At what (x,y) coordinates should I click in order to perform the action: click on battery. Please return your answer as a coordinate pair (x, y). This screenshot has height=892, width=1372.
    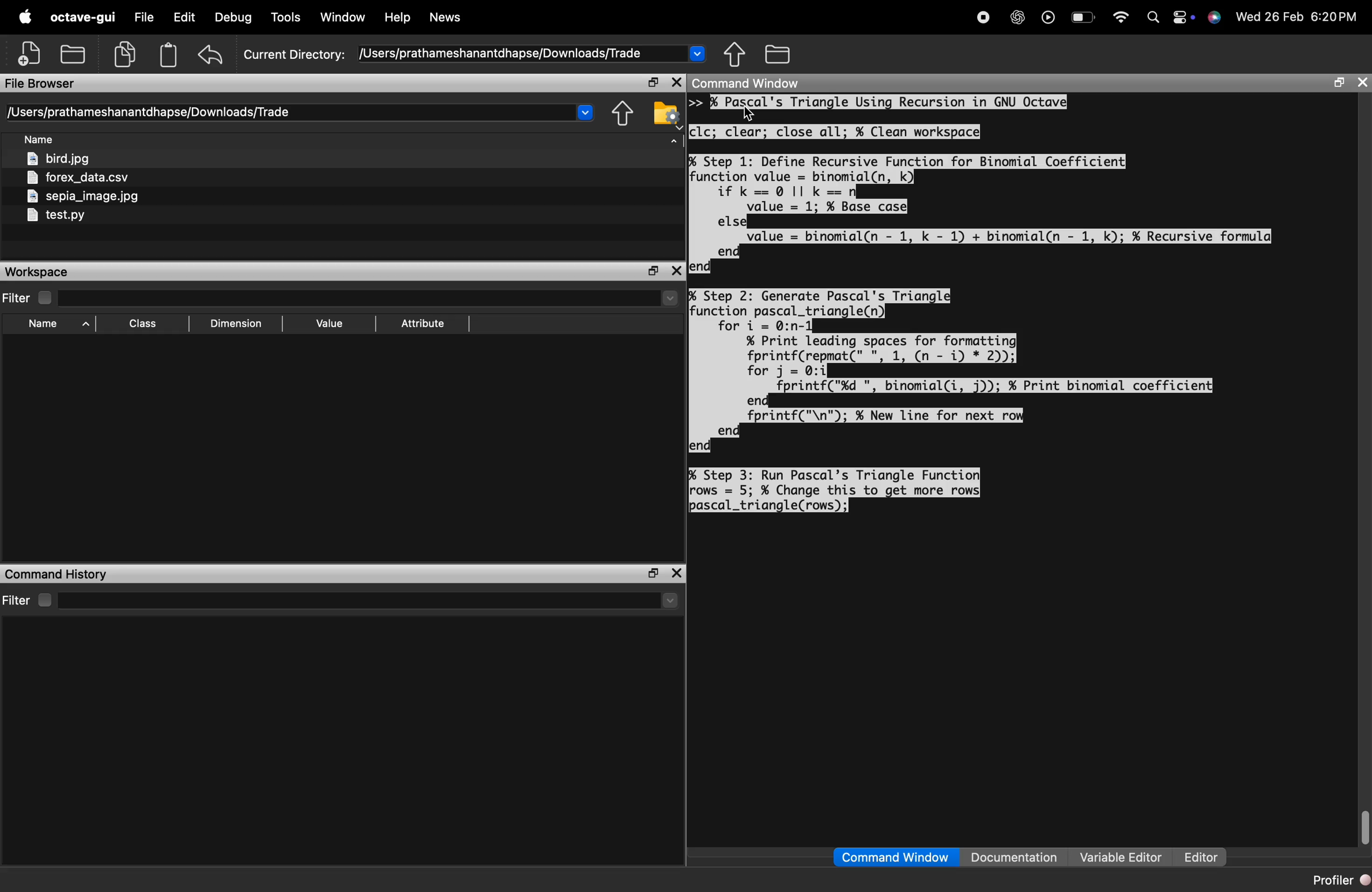
    Looking at the image, I should click on (1084, 17).